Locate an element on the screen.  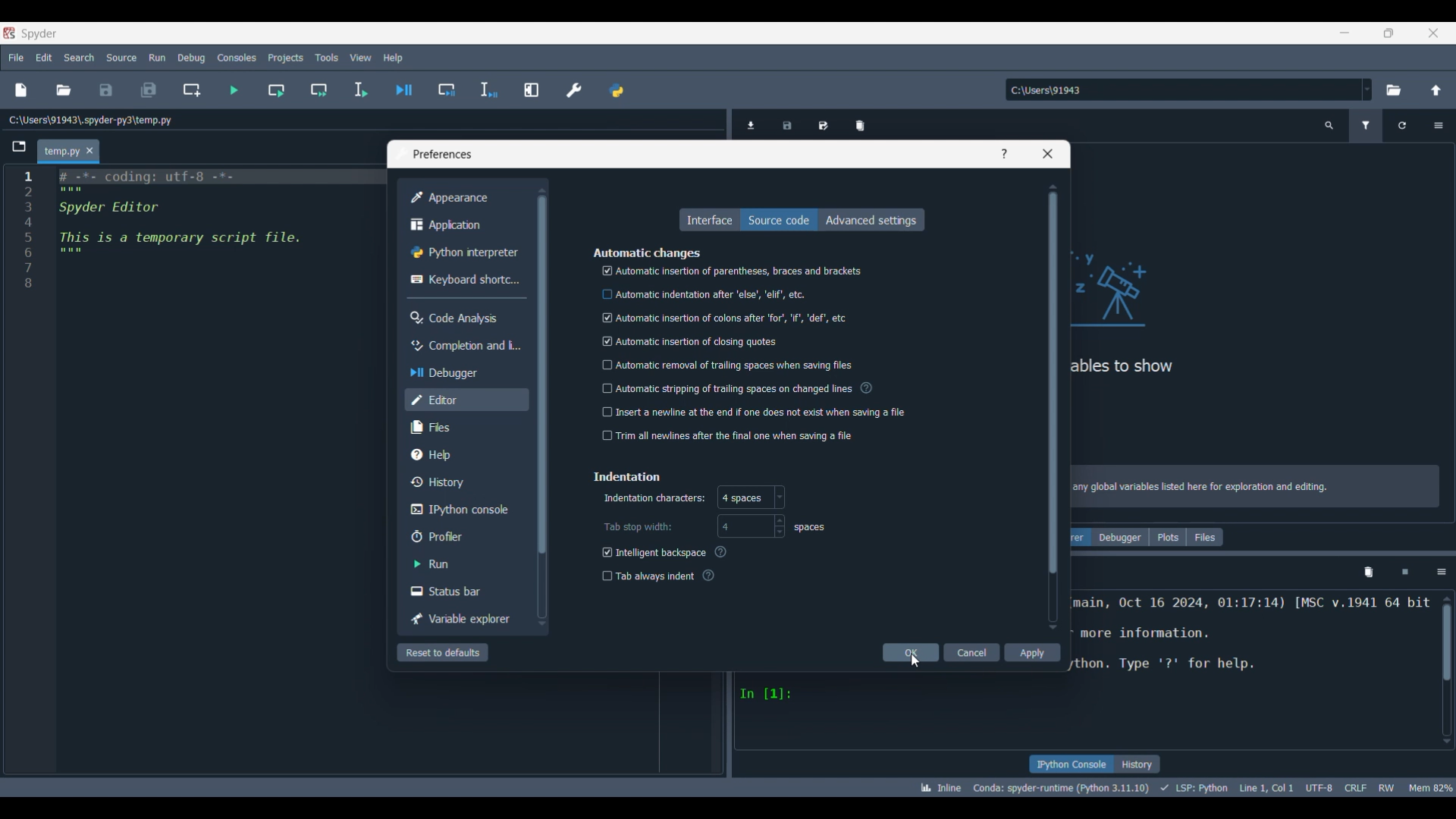
Edit menu is located at coordinates (44, 58).